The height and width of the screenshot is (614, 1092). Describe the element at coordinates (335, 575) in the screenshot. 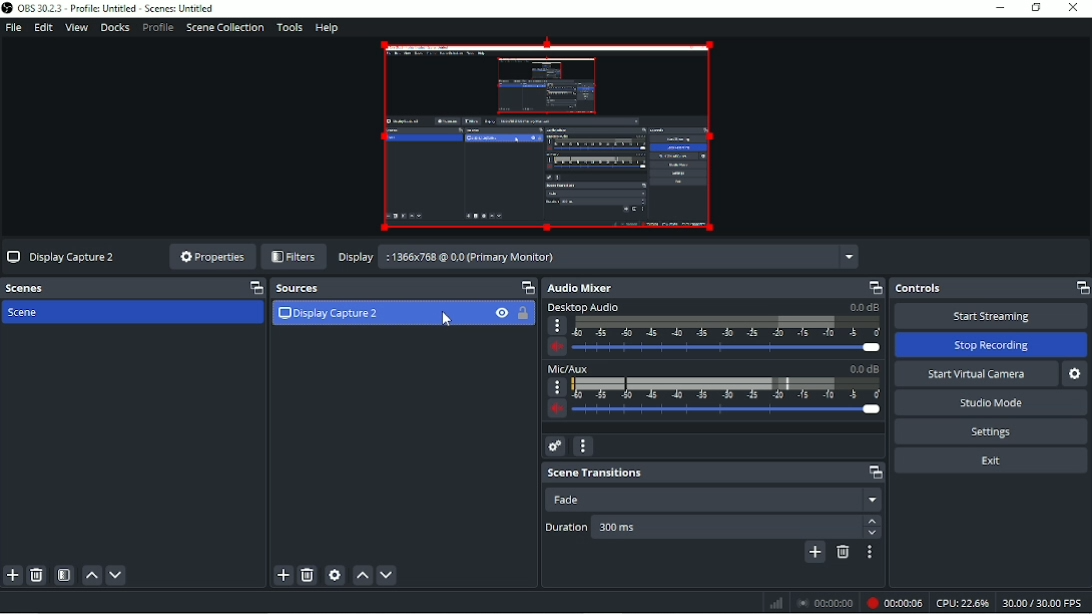

I see `Open source properties` at that location.